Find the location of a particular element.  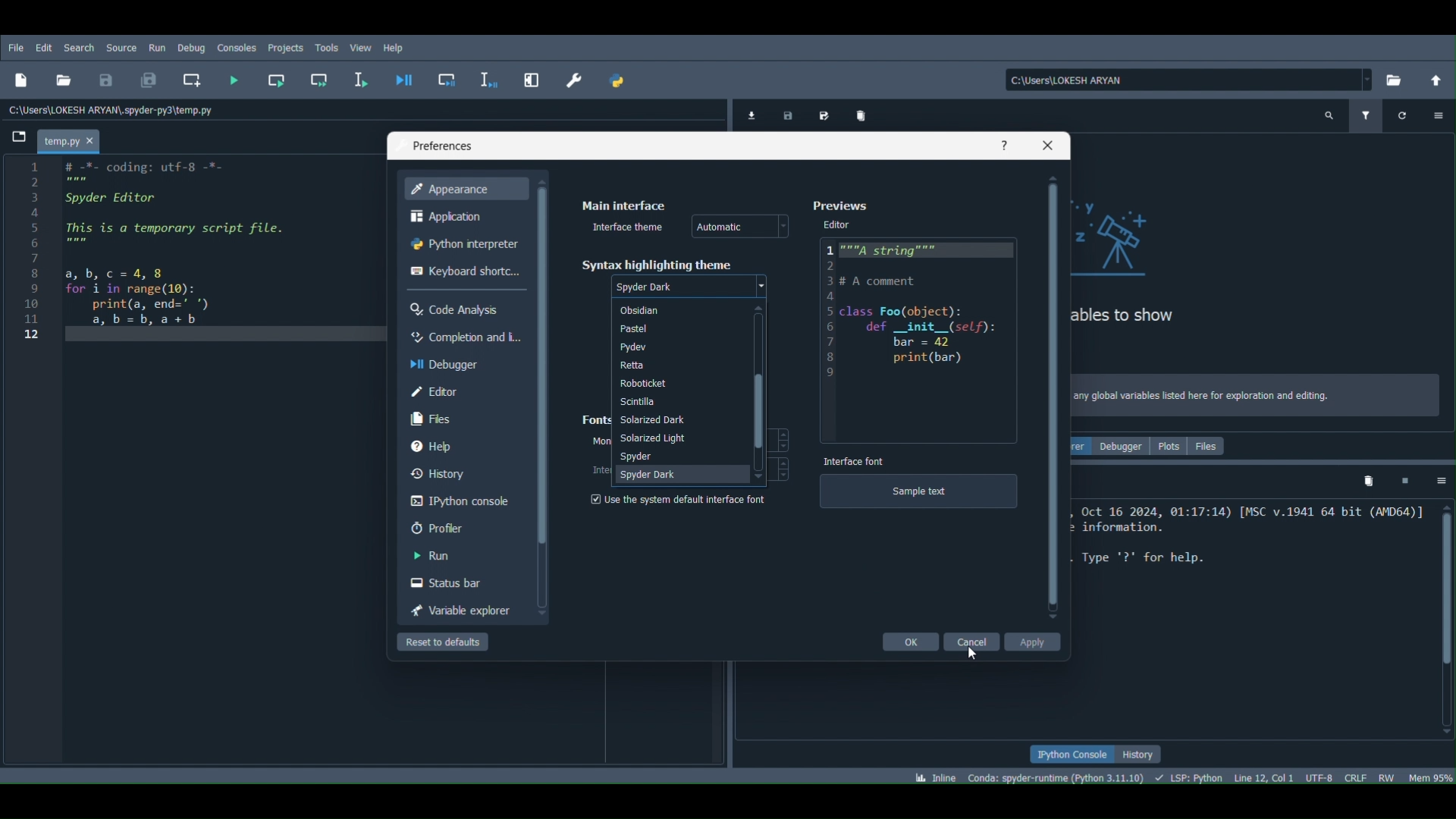

Search is located at coordinates (78, 44).